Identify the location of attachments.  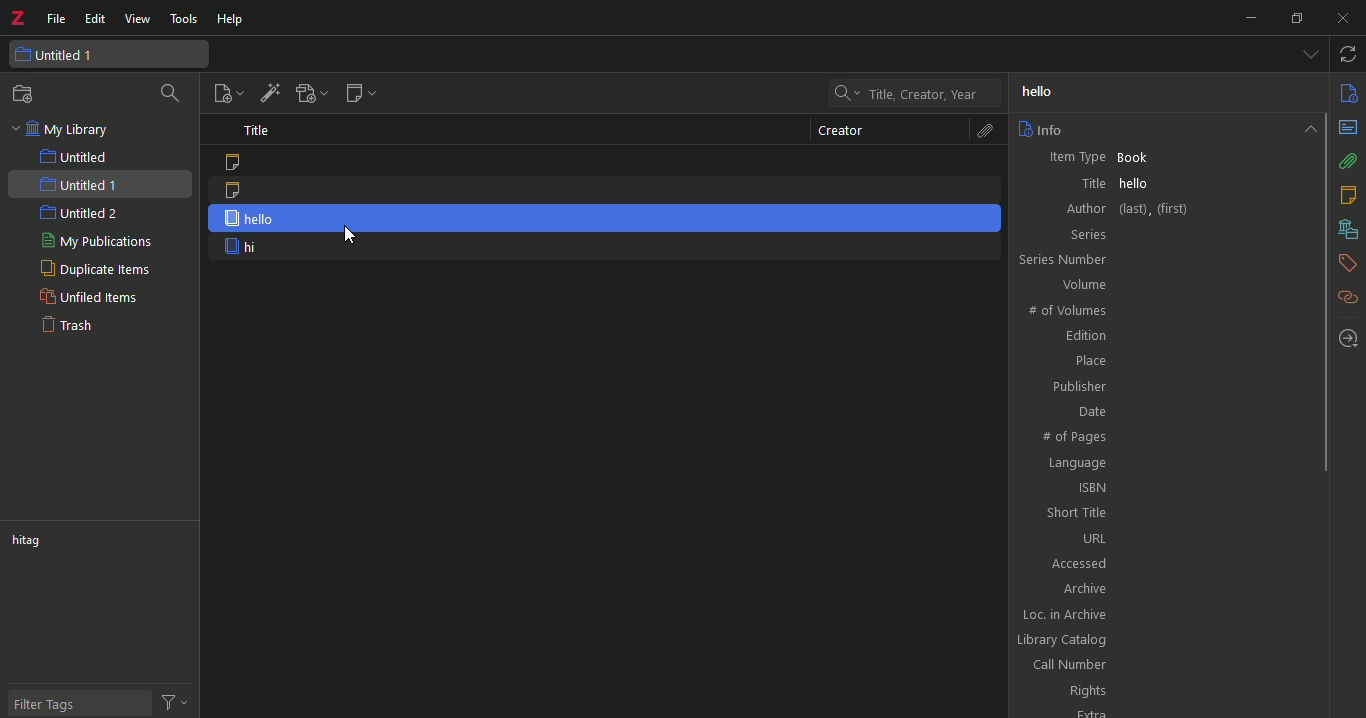
(1347, 161).